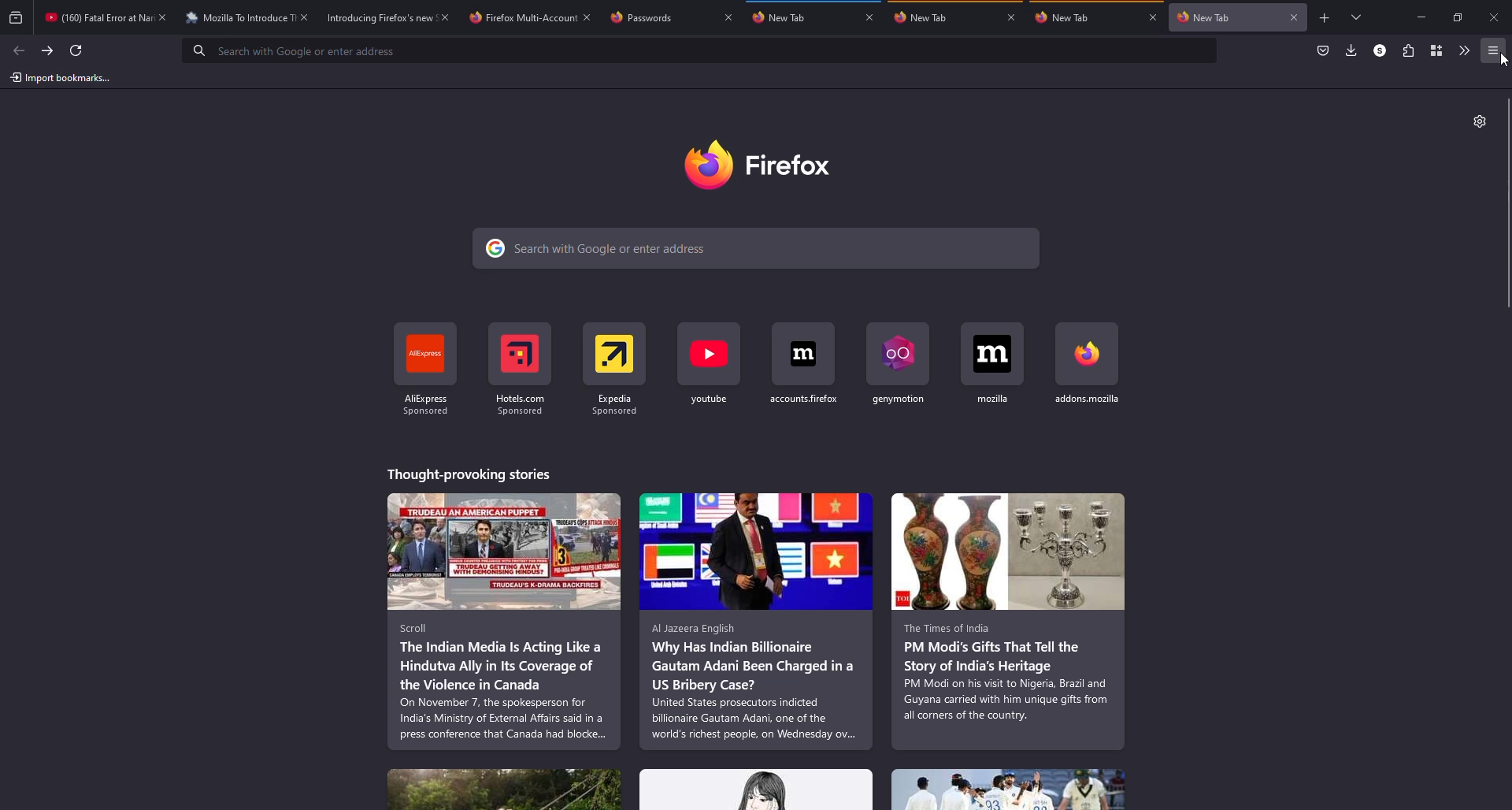 This screenshot has height=810, width=1512. What do you see at coordinates (1380, 51) in the screenshot?
I see `account` at bounding box center [1380, 51].